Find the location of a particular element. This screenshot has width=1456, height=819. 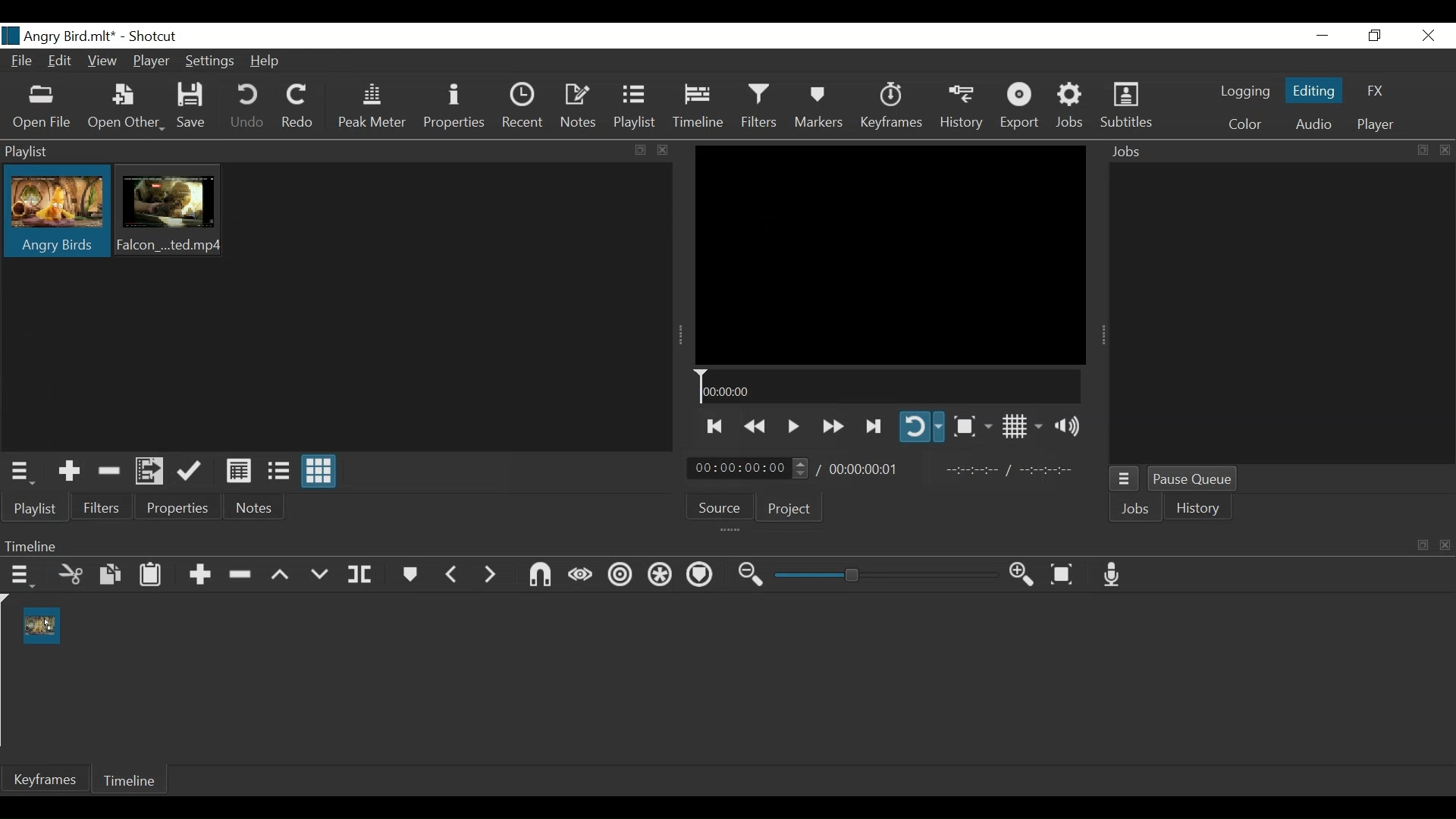

Clip is located at coordinates (174, 212).